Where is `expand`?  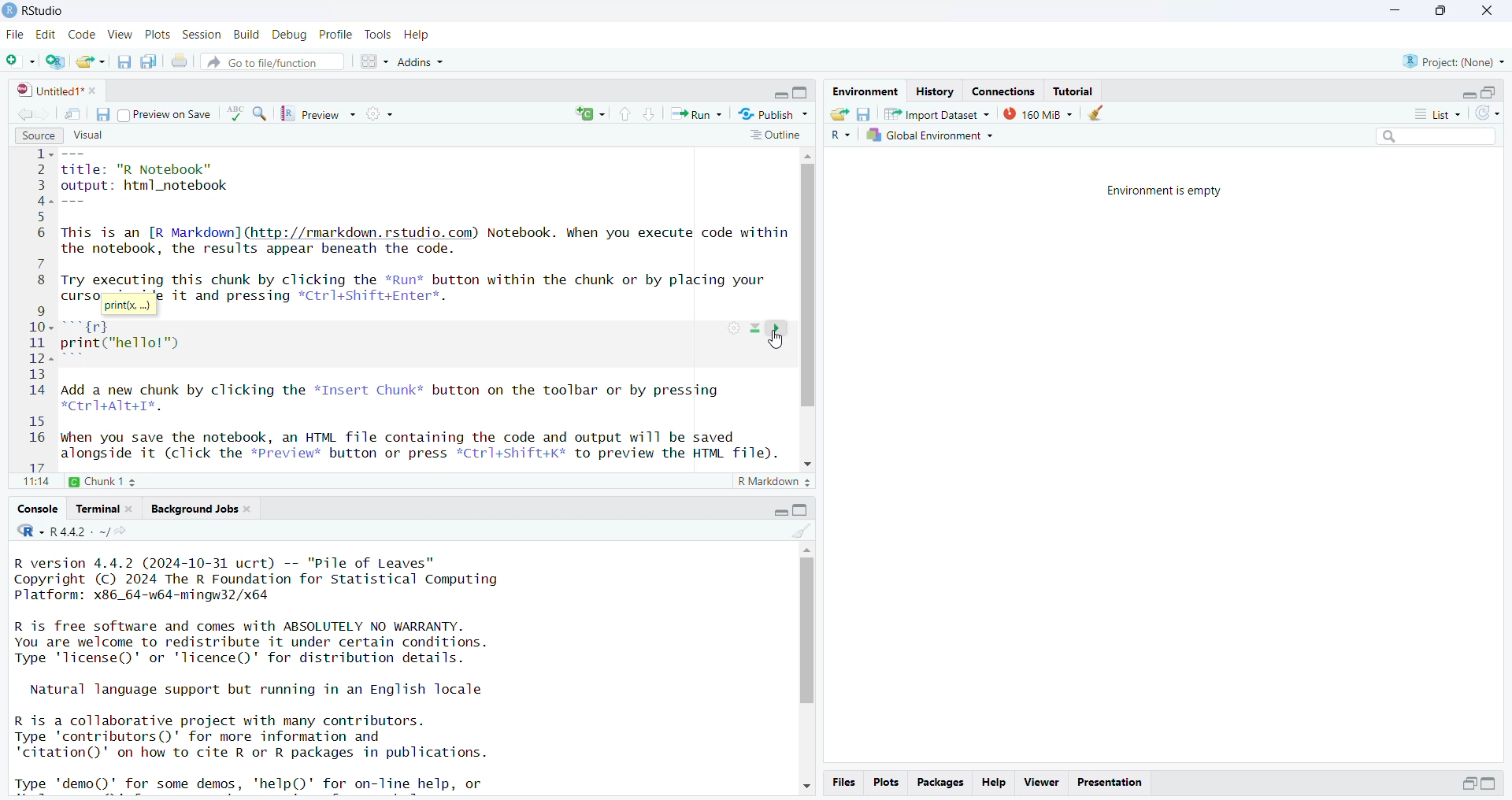
expand is located at coordinates (781, 509).